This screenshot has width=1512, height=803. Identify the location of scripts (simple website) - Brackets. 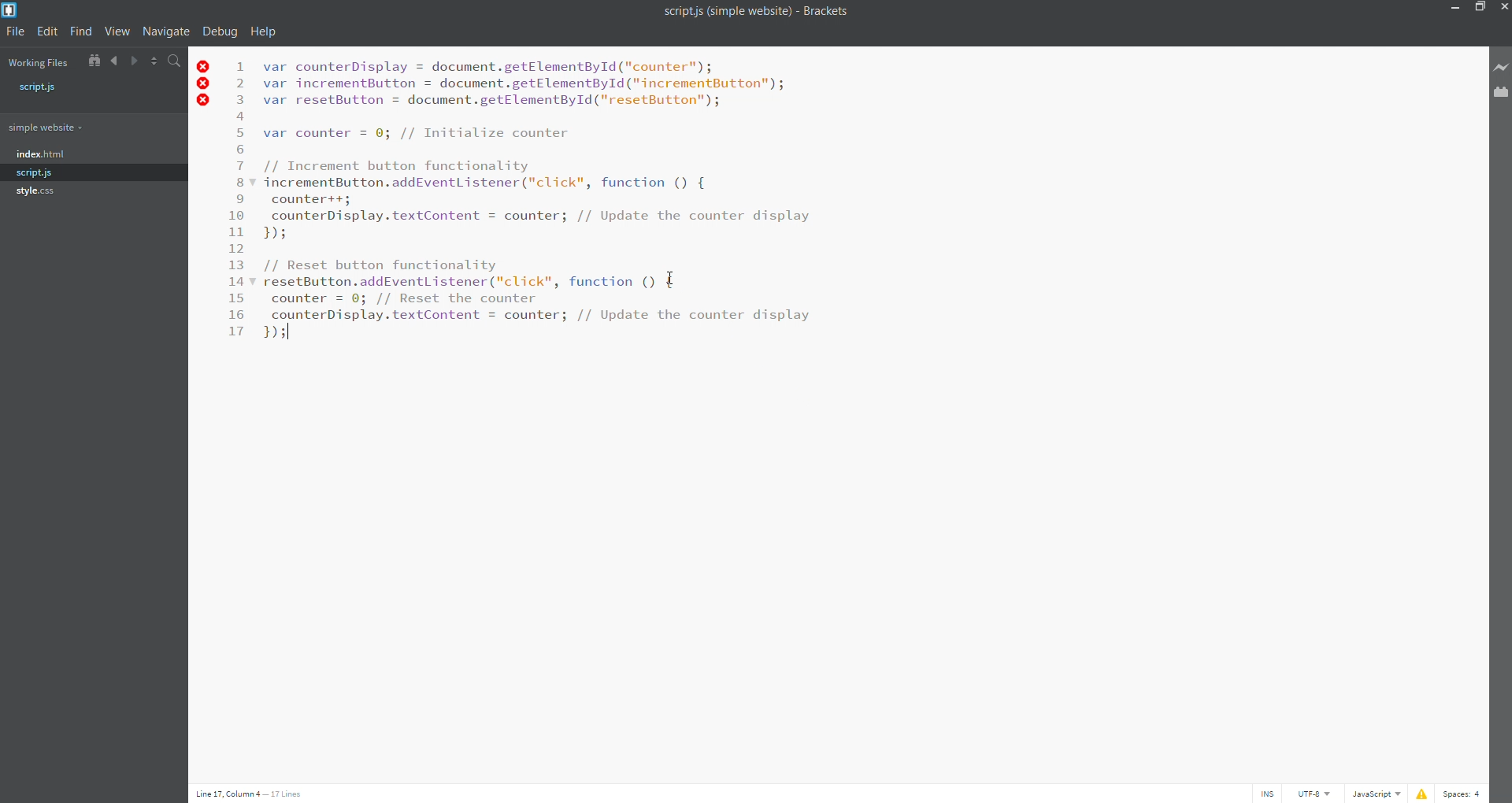
(758, 14).